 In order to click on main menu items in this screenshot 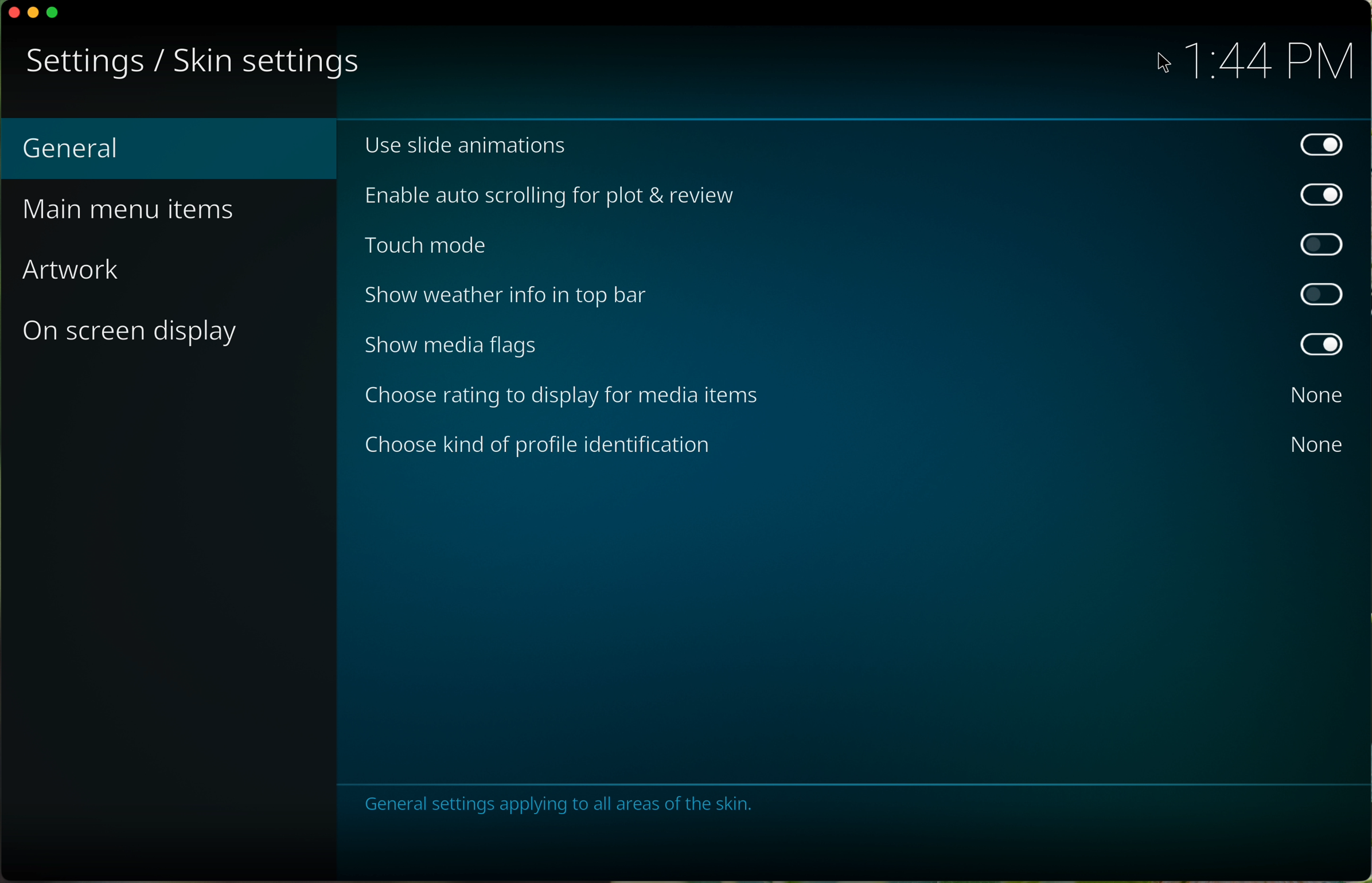, I will do `click(135, 212)`.